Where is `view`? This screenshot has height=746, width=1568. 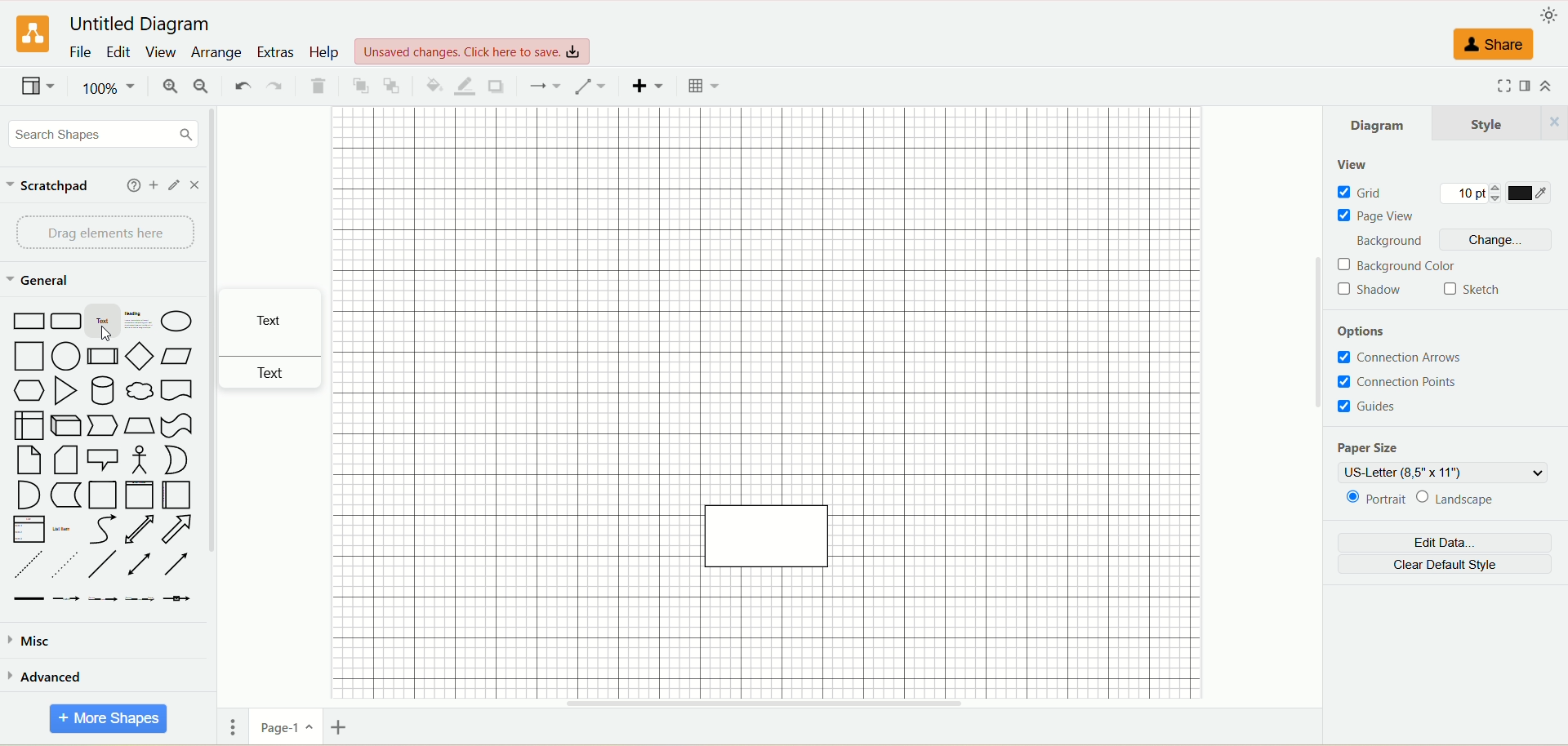
view is located at coordinates (33, 89).